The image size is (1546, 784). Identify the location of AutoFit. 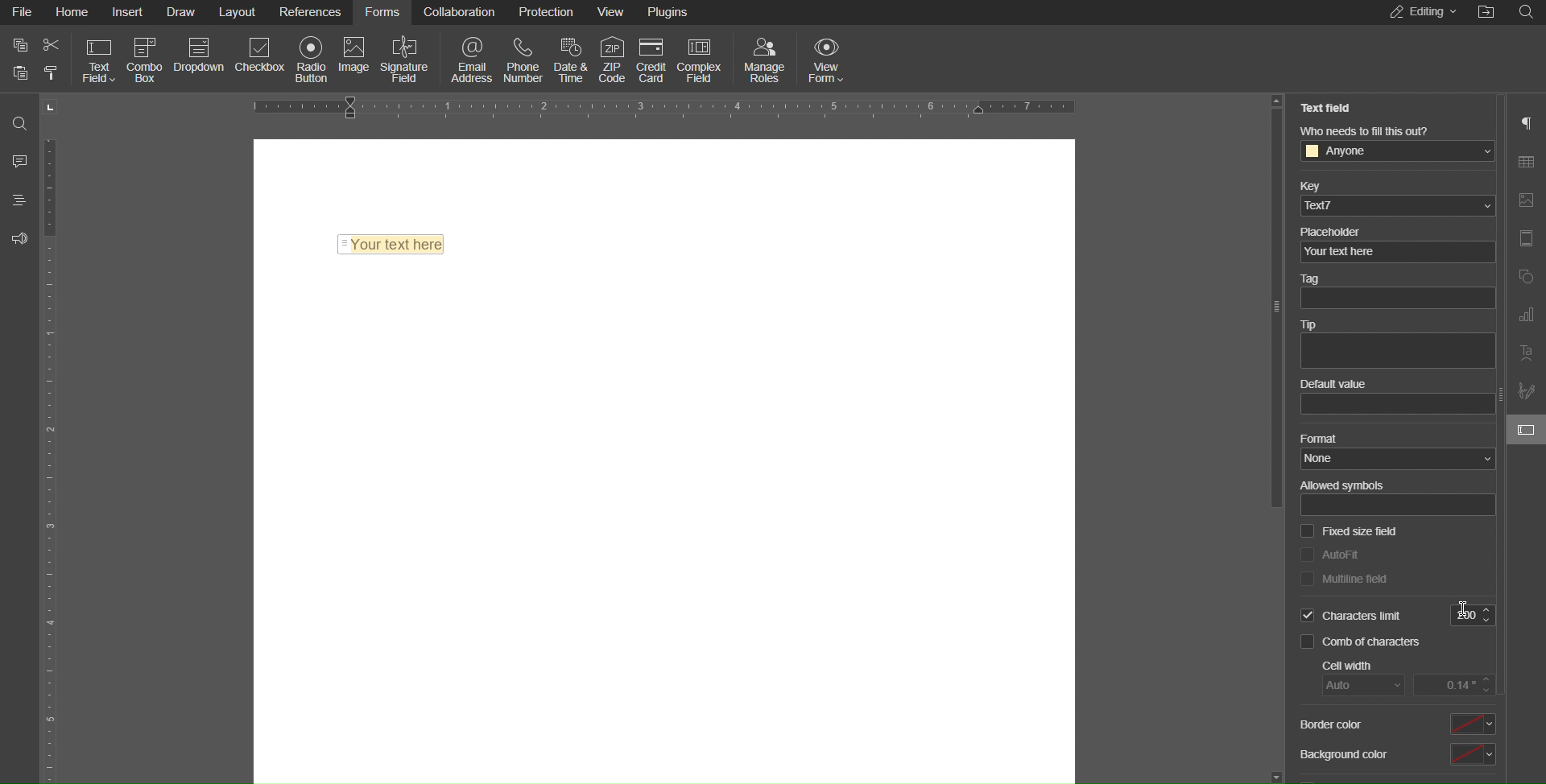
(1329, 553).